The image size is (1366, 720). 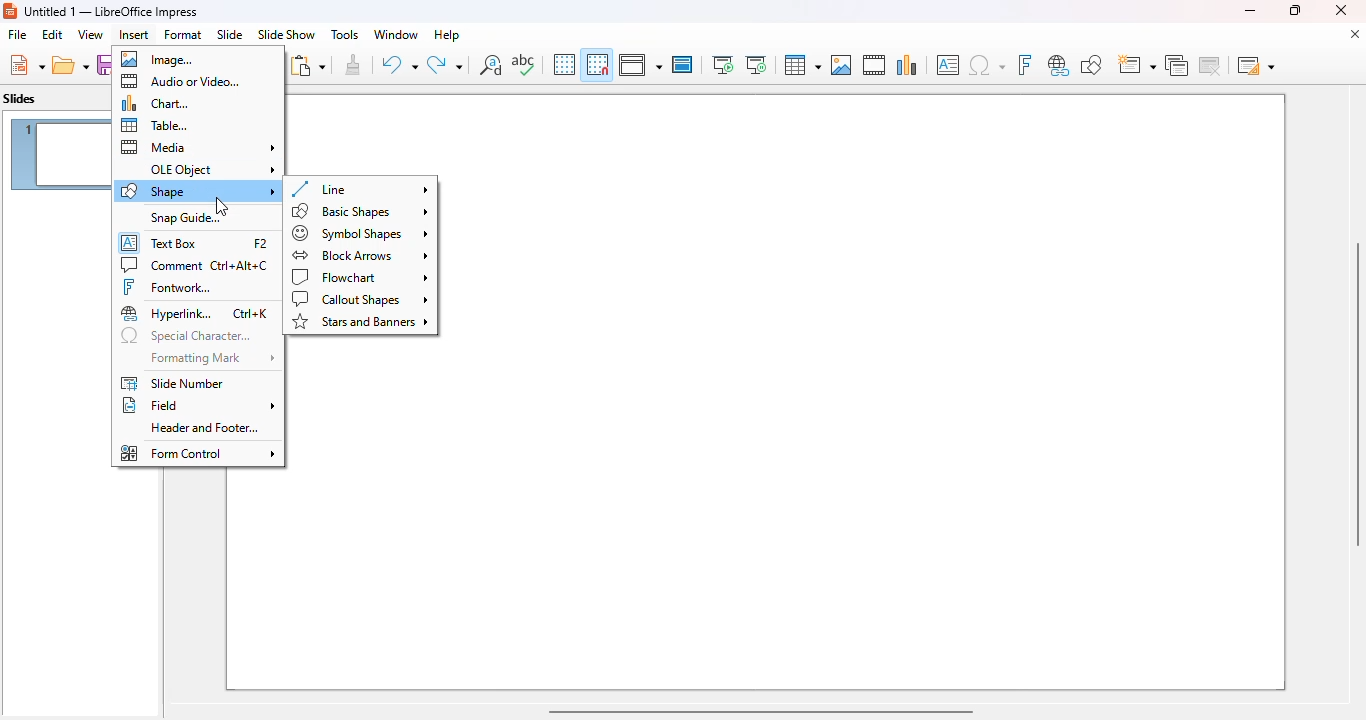 I want to click on slide, so click(x=229, y=34).